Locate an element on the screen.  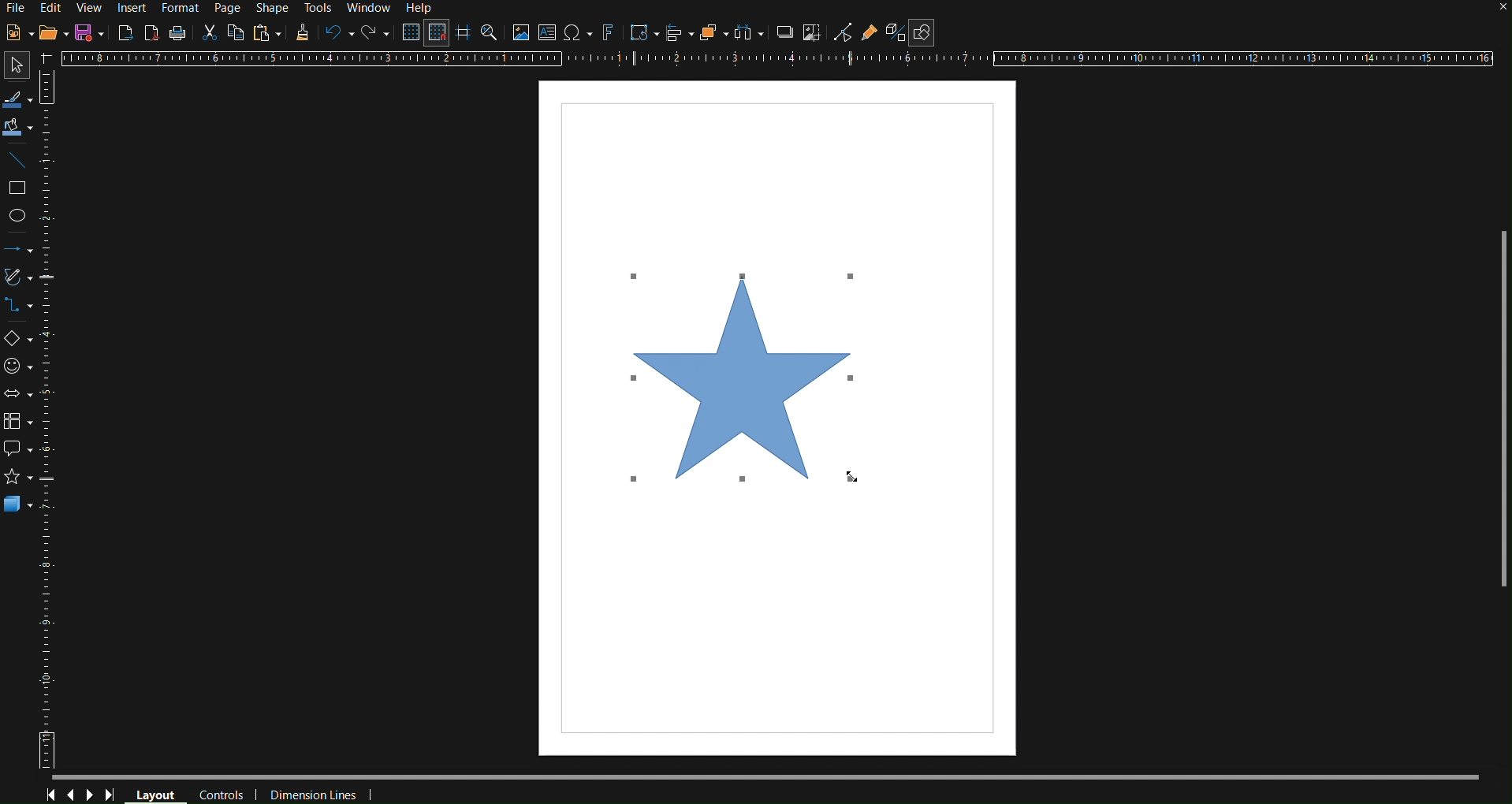
Basic Shapes is located at coordinates (19, 341).